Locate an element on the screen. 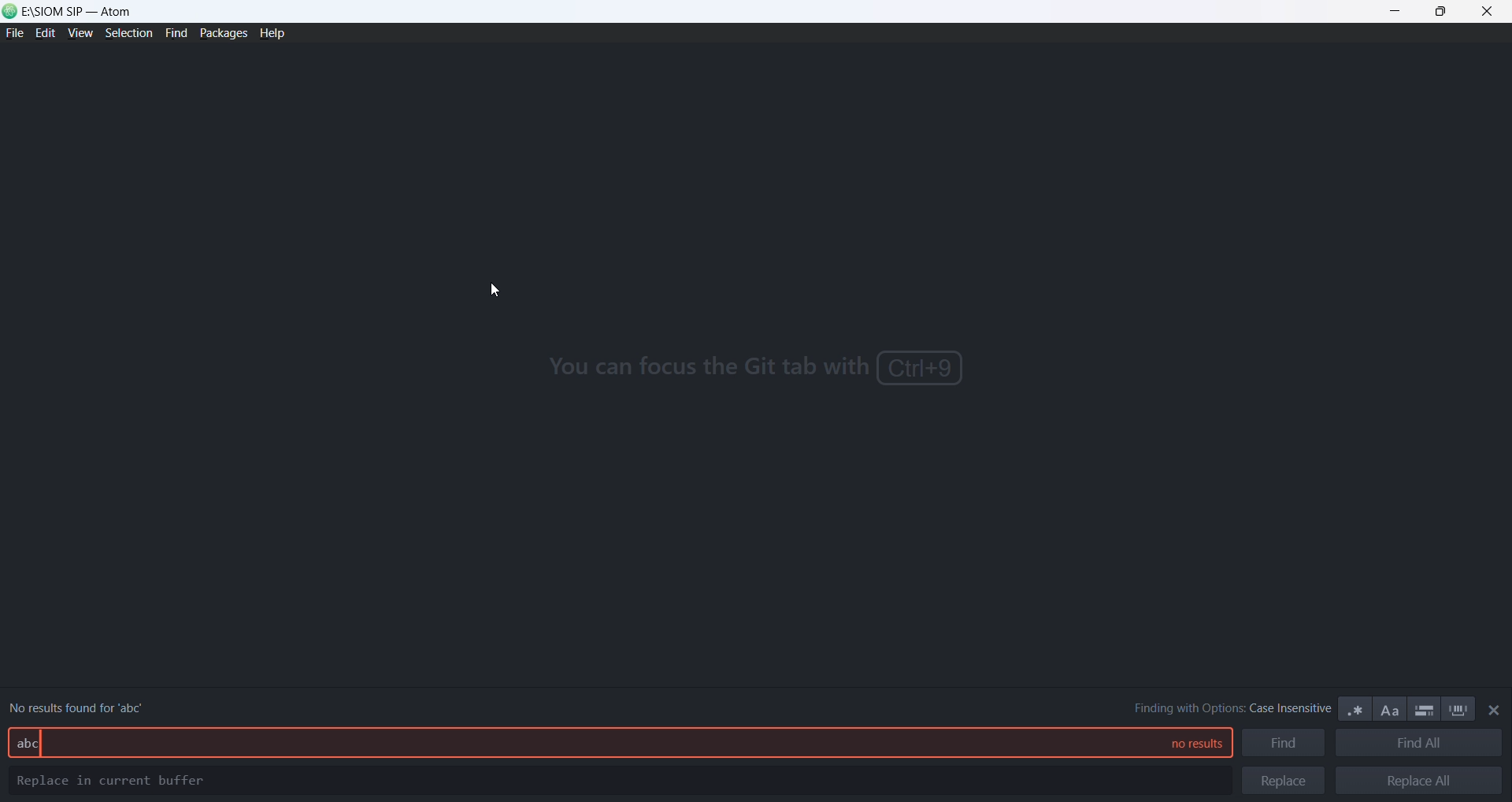  matchcase is located at coordinates (1392, 711).